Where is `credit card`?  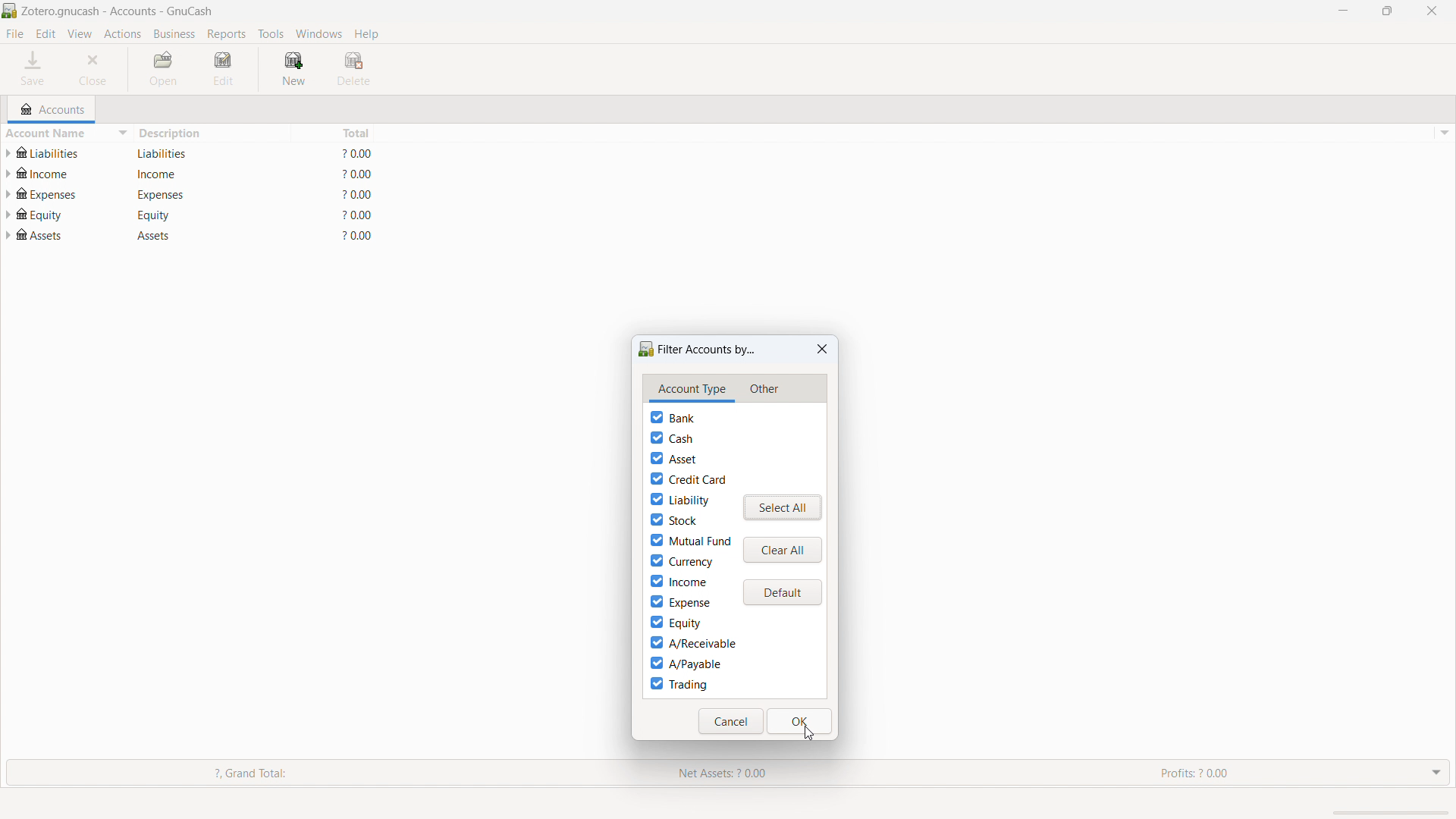 credit card is located at coordinates (689, 479).